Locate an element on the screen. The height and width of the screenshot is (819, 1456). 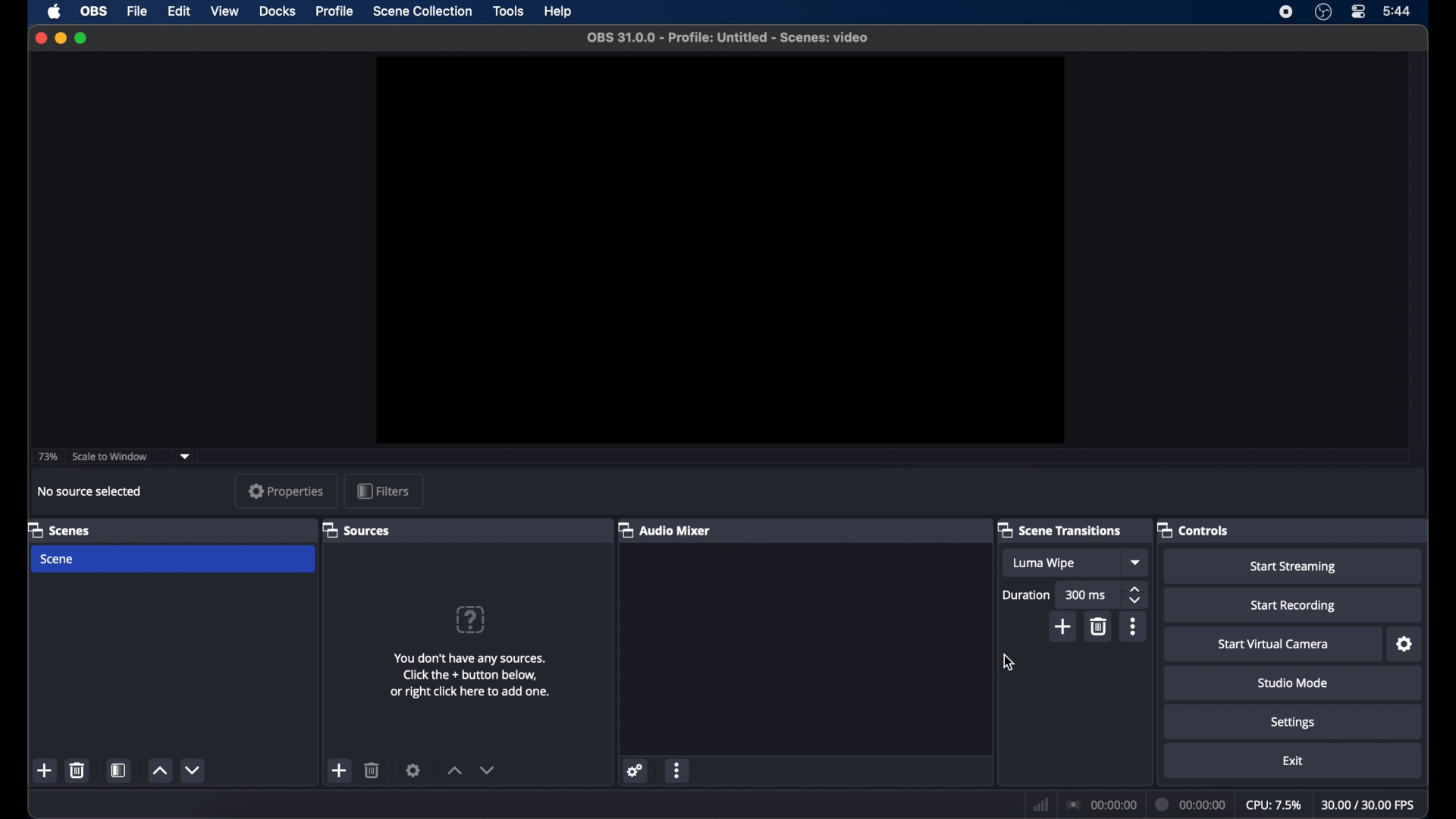
audio mixer is located at coordinates (665, 529).